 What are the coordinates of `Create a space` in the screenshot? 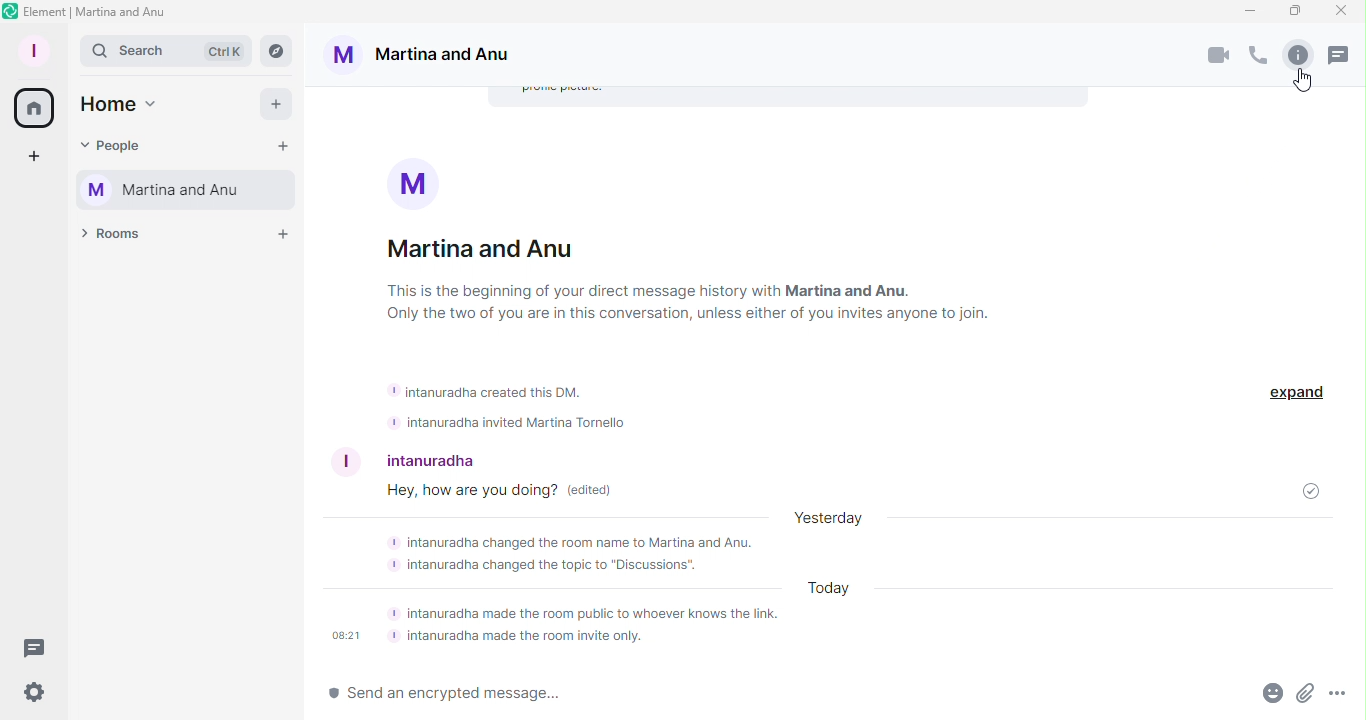 It's located at (29, 157).